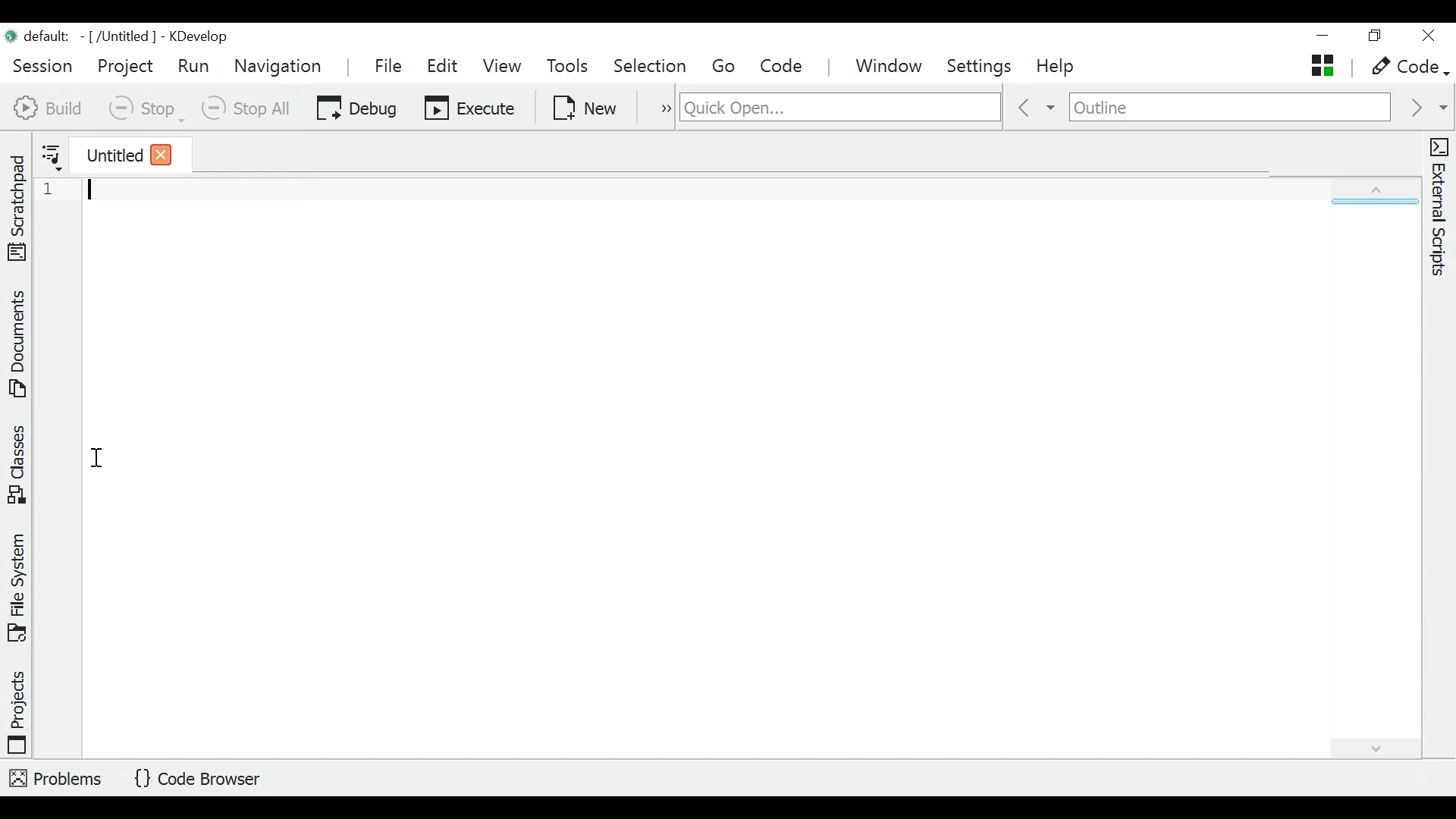 The height and width of the screenshot is (819, 1456). Describe the element at coordinates (727, 66) in the screenshot. I see `Go` at that location.